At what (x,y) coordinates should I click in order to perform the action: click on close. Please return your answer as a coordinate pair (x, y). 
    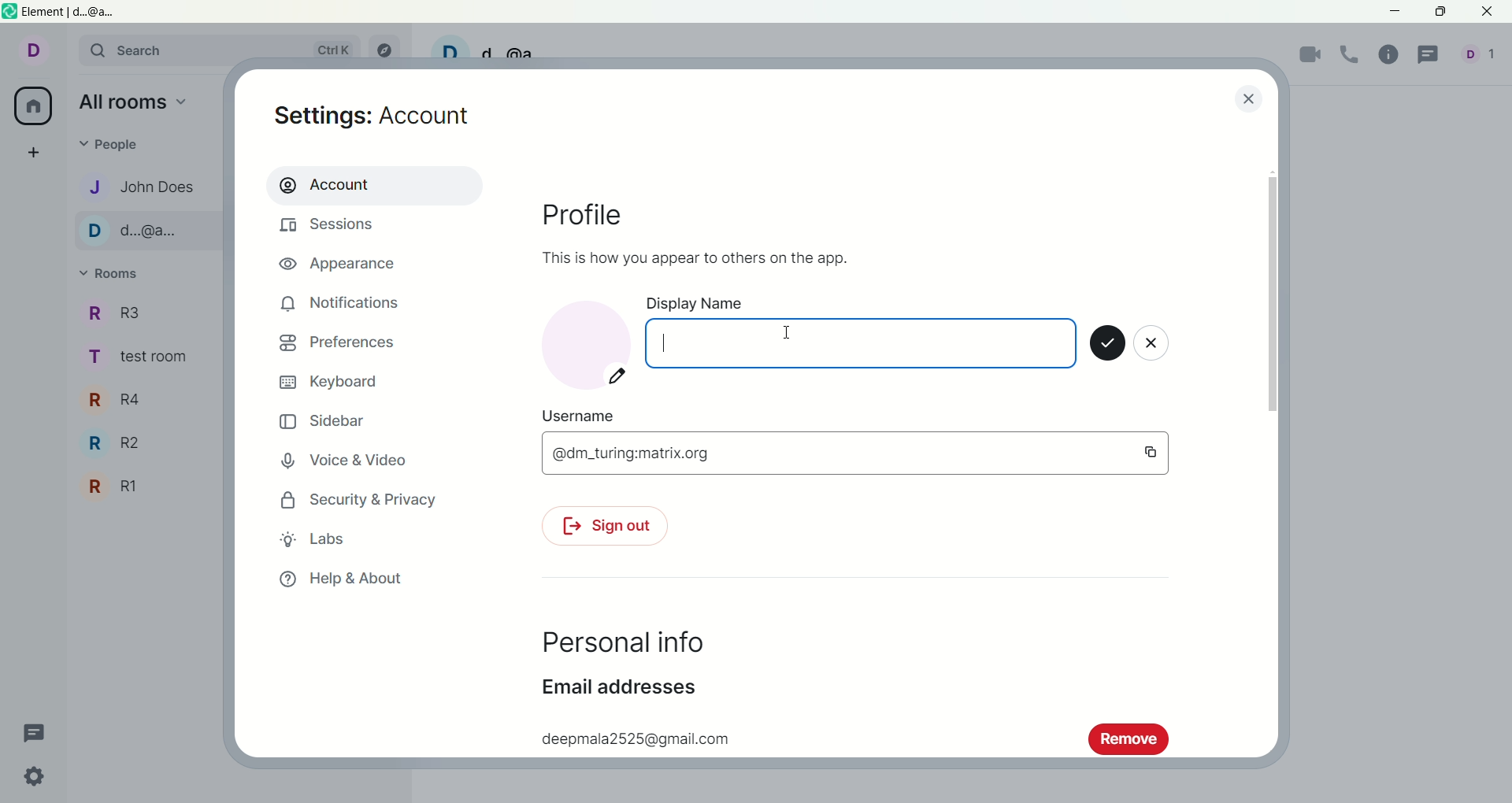
    Looking at the image, I should click on (1154, 346).